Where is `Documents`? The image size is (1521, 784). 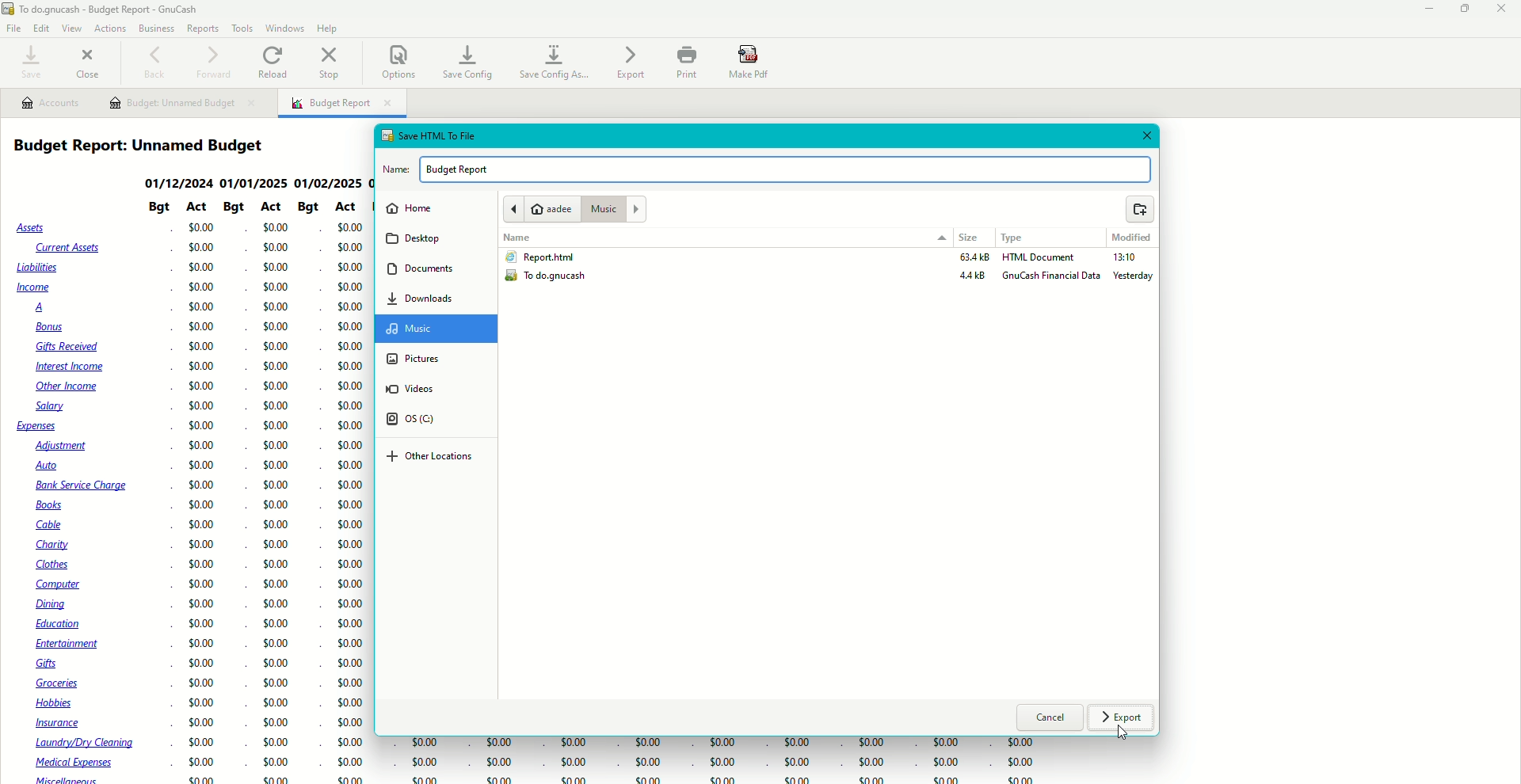 Documents is located at coordinates (421, 268).